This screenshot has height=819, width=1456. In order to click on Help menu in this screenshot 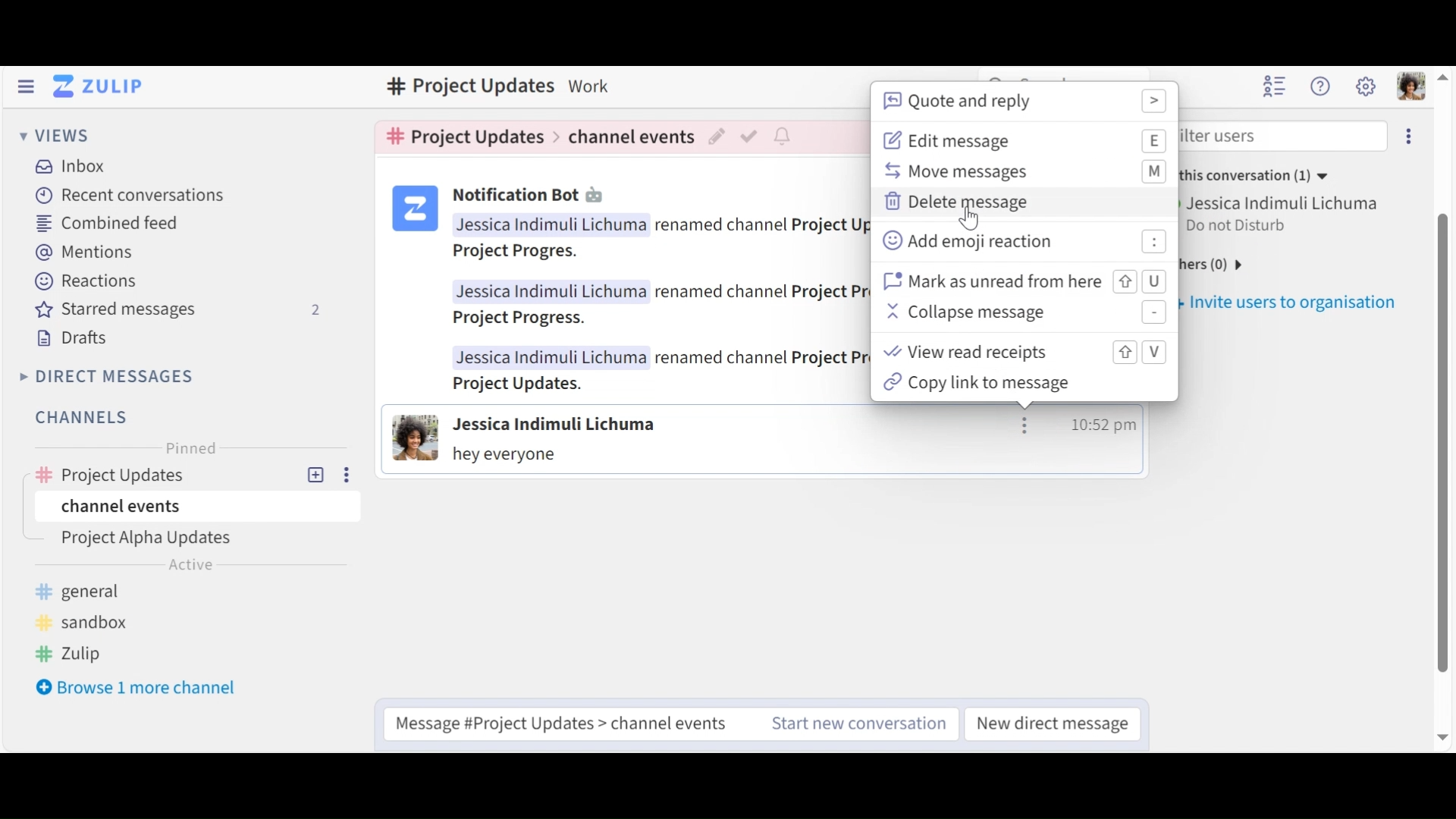, I will do `click(1323, 88)`.